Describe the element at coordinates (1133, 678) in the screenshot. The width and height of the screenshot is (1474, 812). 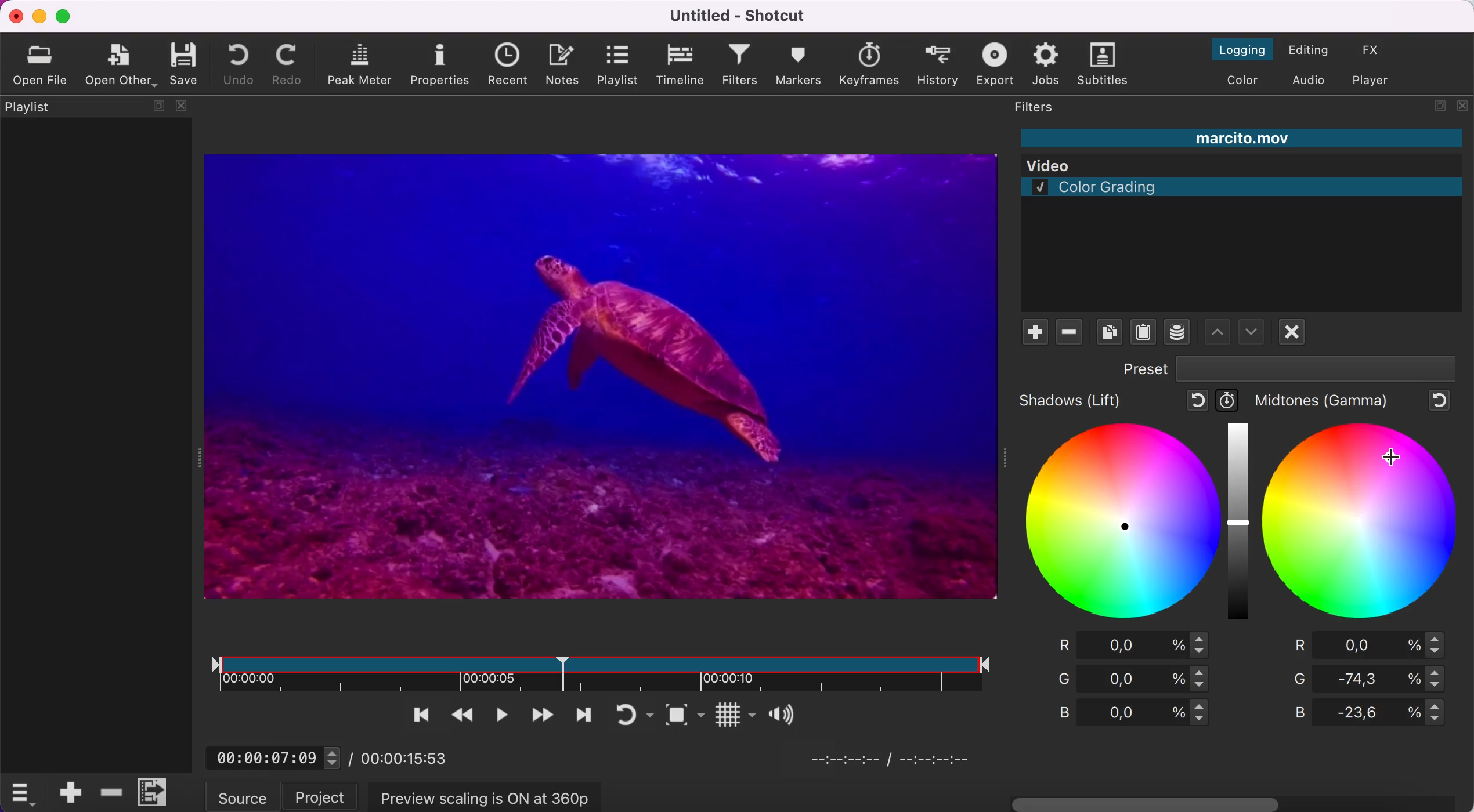
I see `green` at that location.